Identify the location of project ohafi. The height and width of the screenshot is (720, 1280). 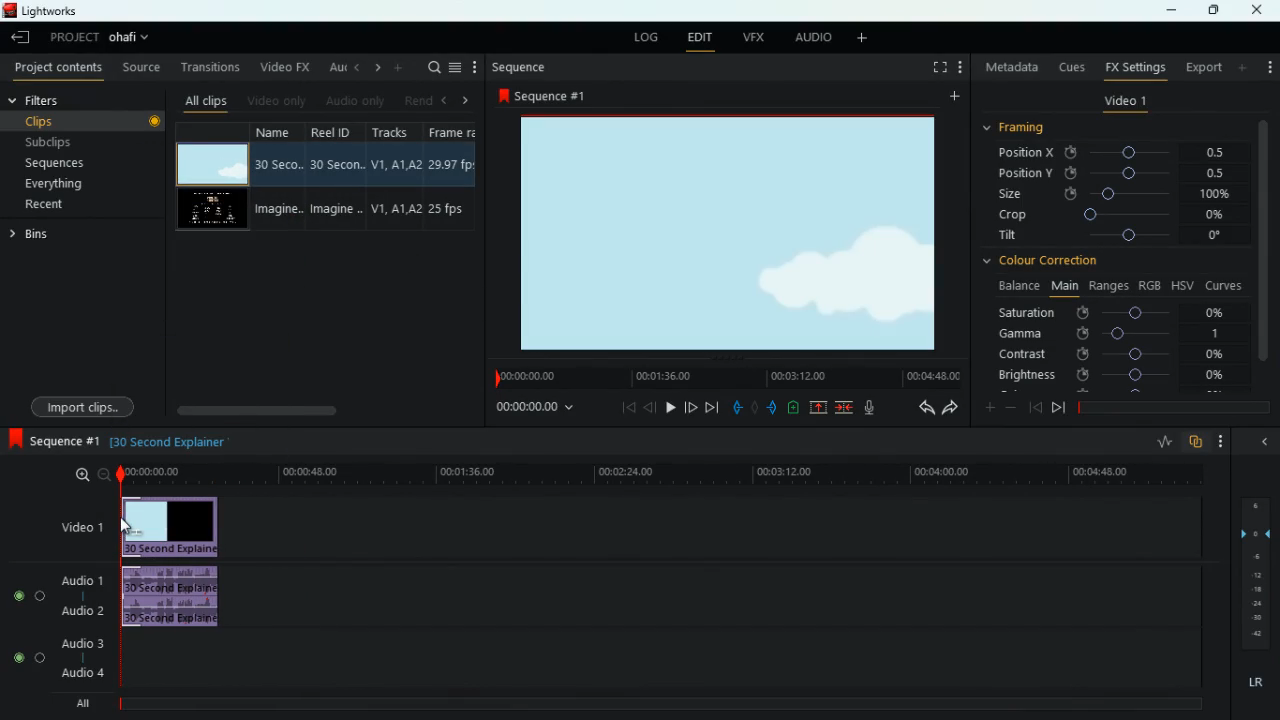
(106, 40).